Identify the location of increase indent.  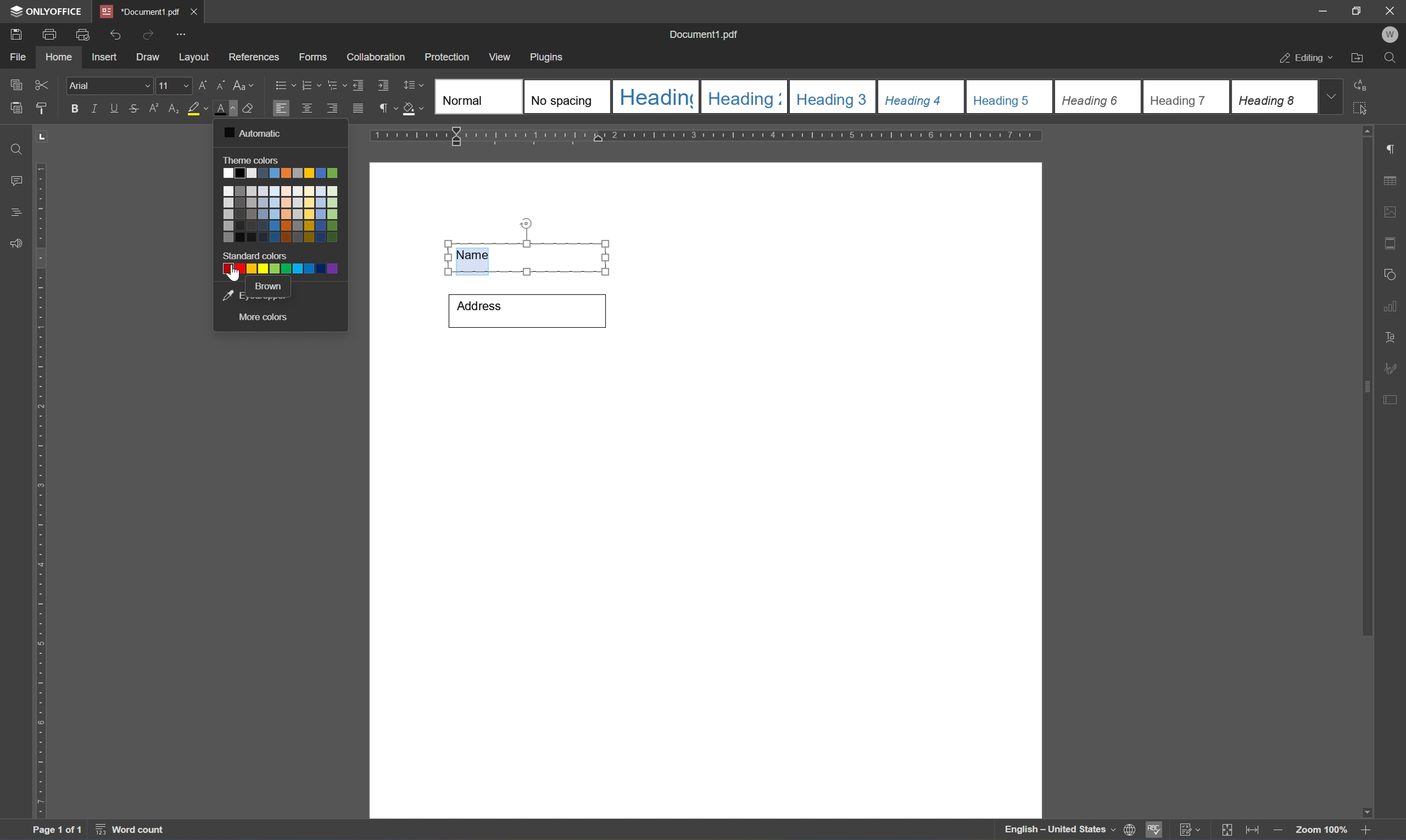
(384, 85).